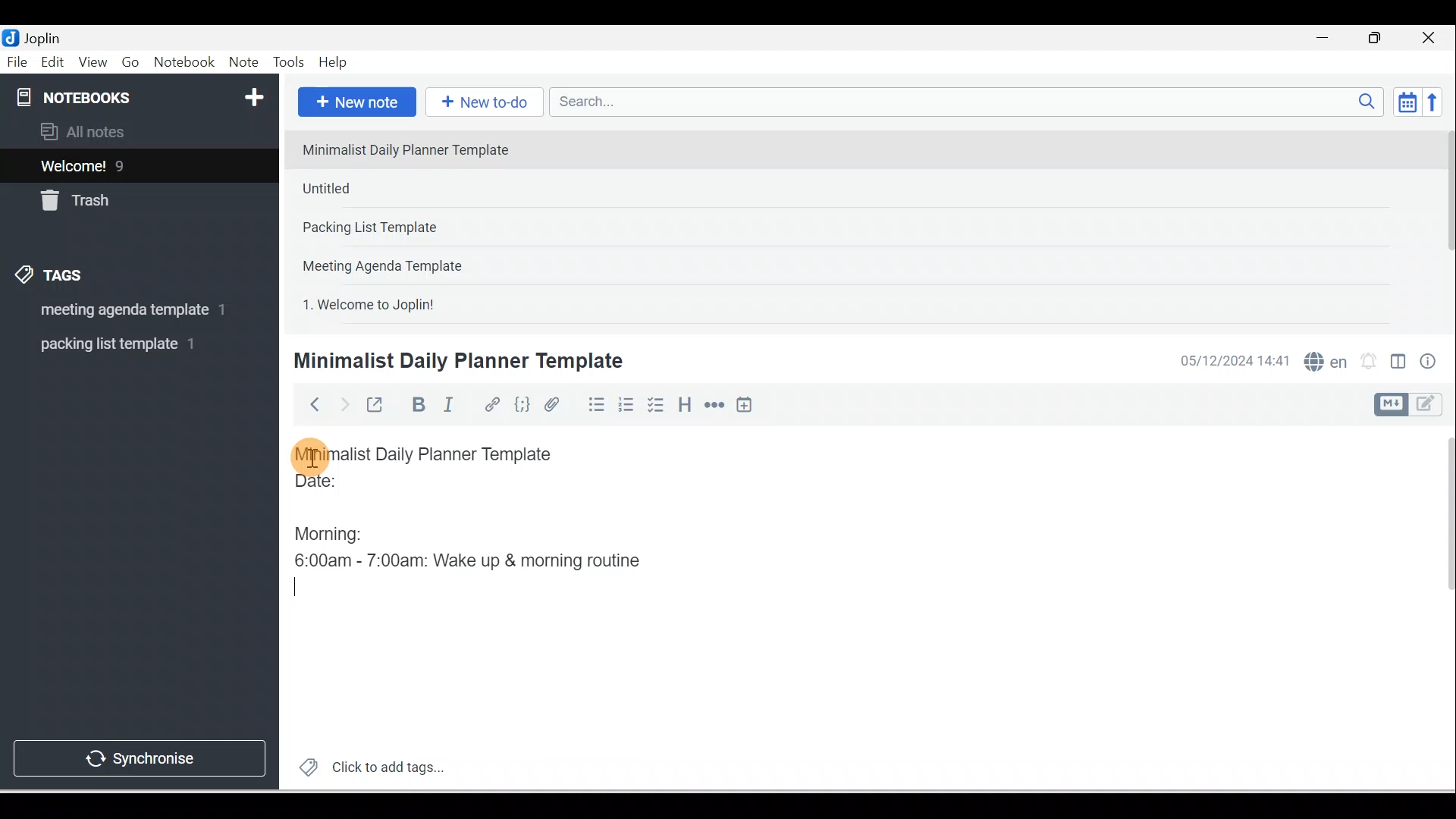 The height and width of the screenshot is (819, 1456). Describe the element at coordinates (1439, 608) in the screenshot. I see `Scroll bar` at that location.